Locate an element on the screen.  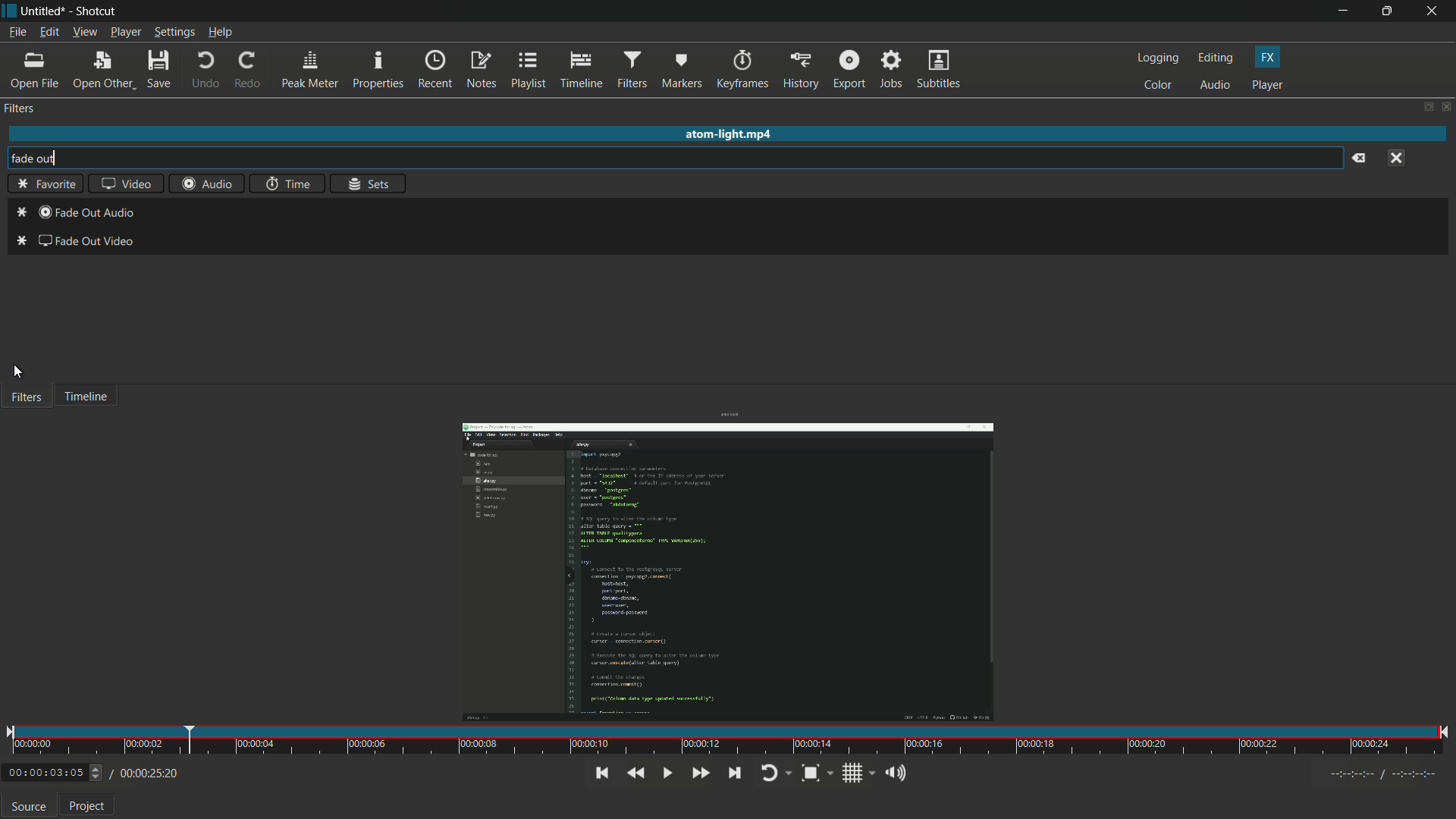
project is located at coordinates (88, 808).